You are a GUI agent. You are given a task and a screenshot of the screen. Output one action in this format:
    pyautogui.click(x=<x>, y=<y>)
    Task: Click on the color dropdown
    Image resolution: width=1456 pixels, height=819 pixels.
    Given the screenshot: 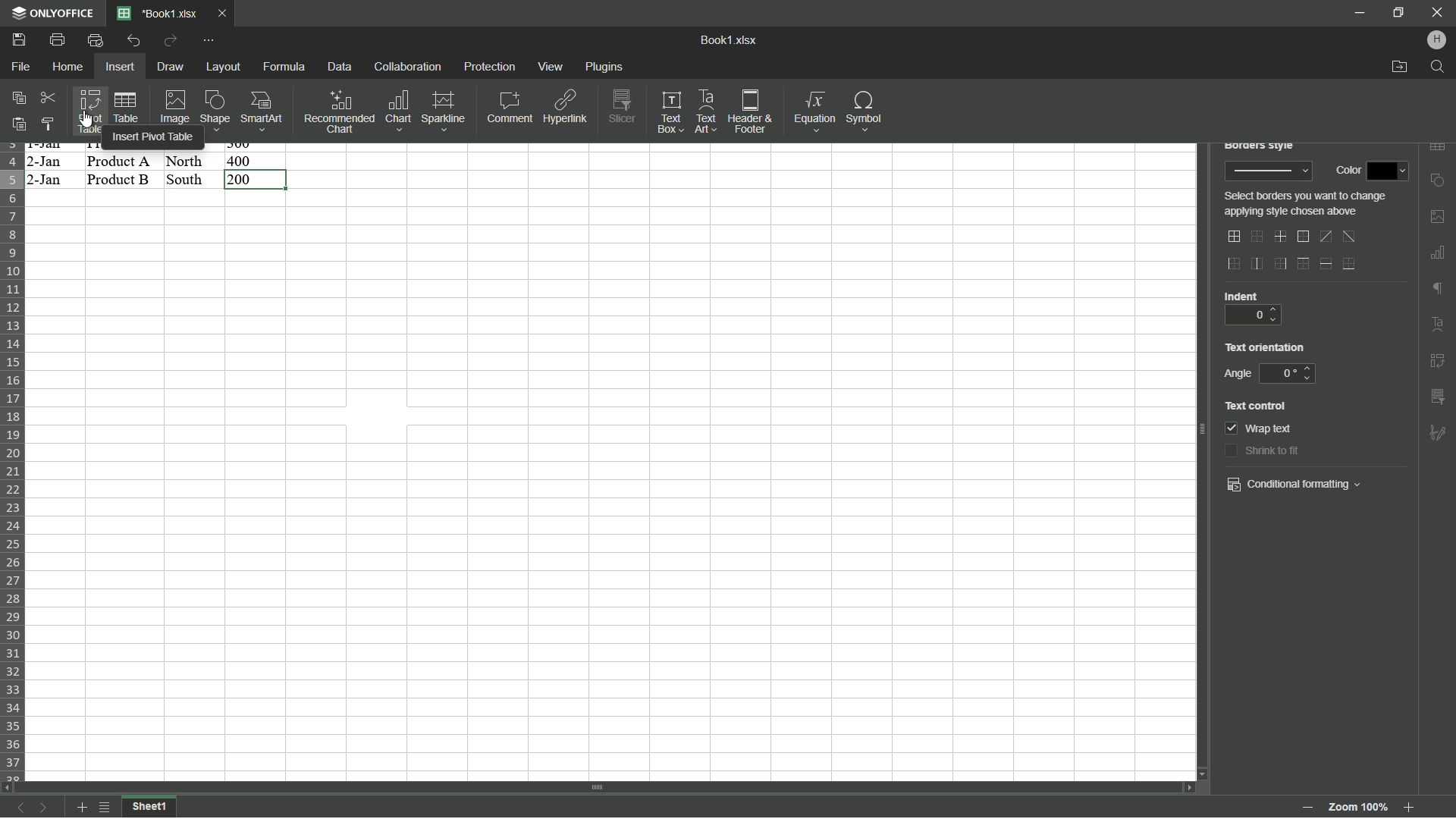 What is the action you would take?
    pyautogui.click(x=1387, y=171)
    